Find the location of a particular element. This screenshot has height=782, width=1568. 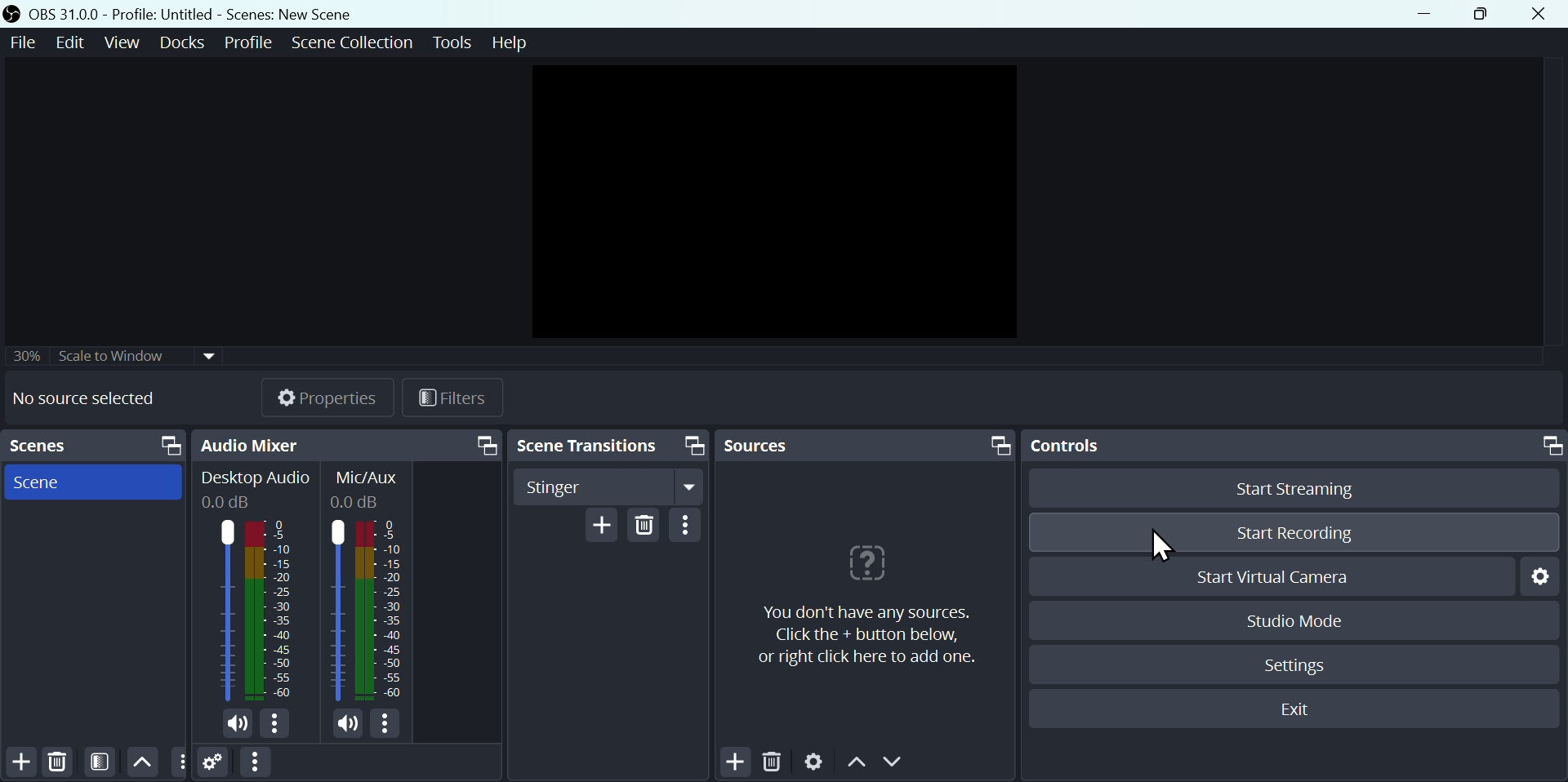

maximize is located at coordinates (693, 445).